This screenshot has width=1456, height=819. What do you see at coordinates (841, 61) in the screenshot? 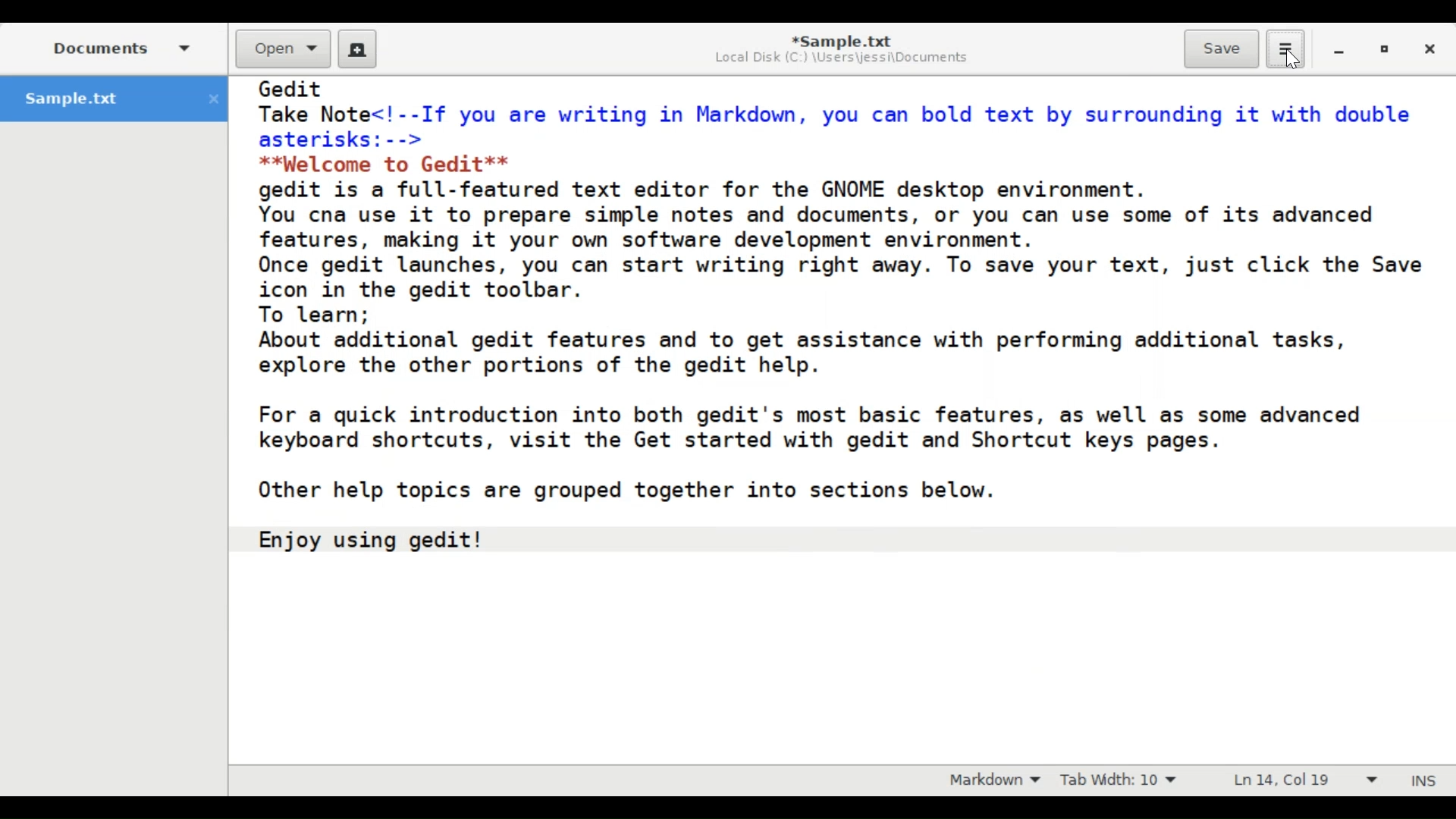
I see `Local Disk (C:) \Users\jessi\Documents` at bounding box center [841, 61].